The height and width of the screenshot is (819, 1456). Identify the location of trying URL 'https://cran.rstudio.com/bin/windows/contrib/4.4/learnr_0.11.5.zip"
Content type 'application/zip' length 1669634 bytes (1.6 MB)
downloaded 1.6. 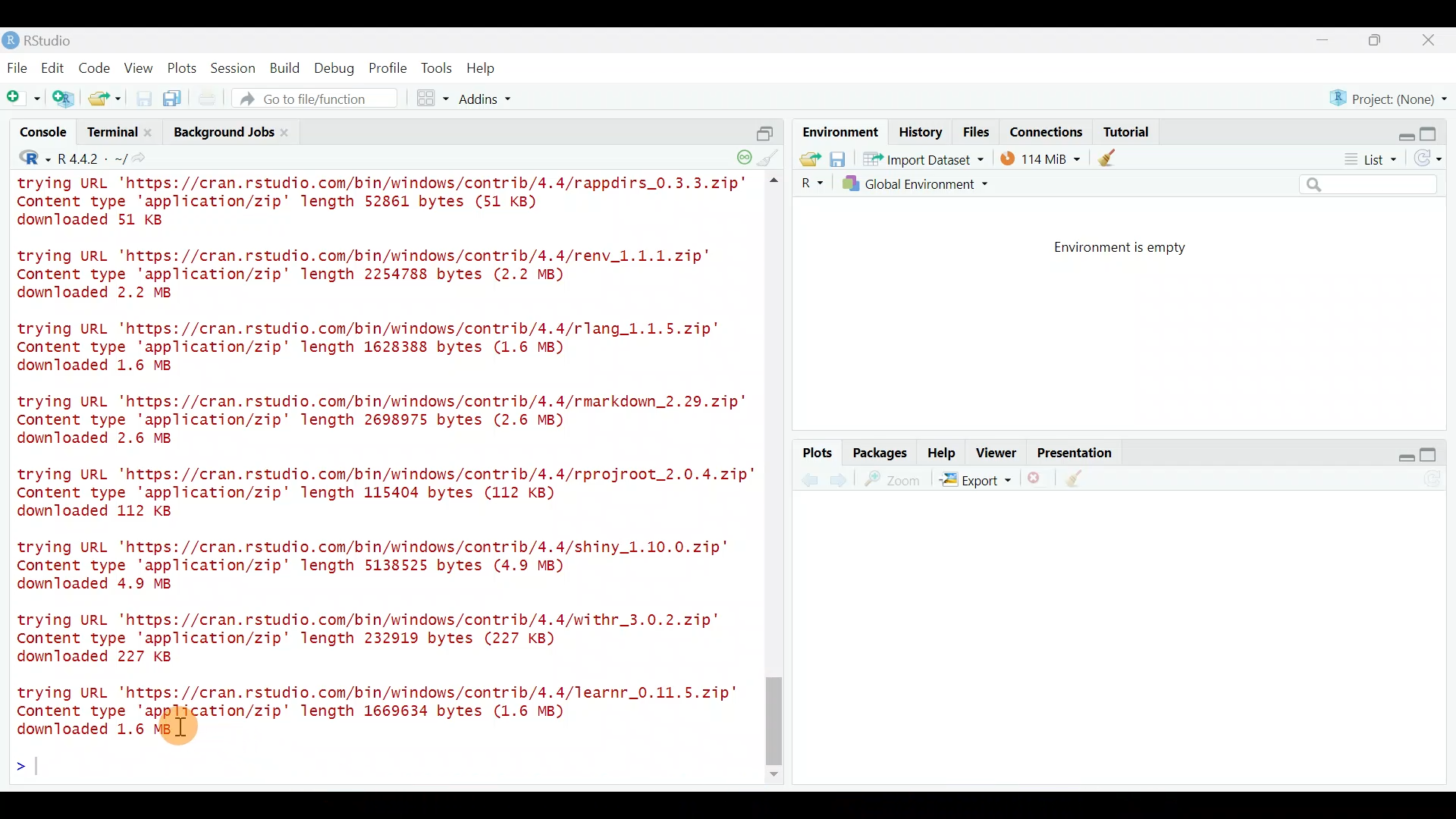
(384, 708).